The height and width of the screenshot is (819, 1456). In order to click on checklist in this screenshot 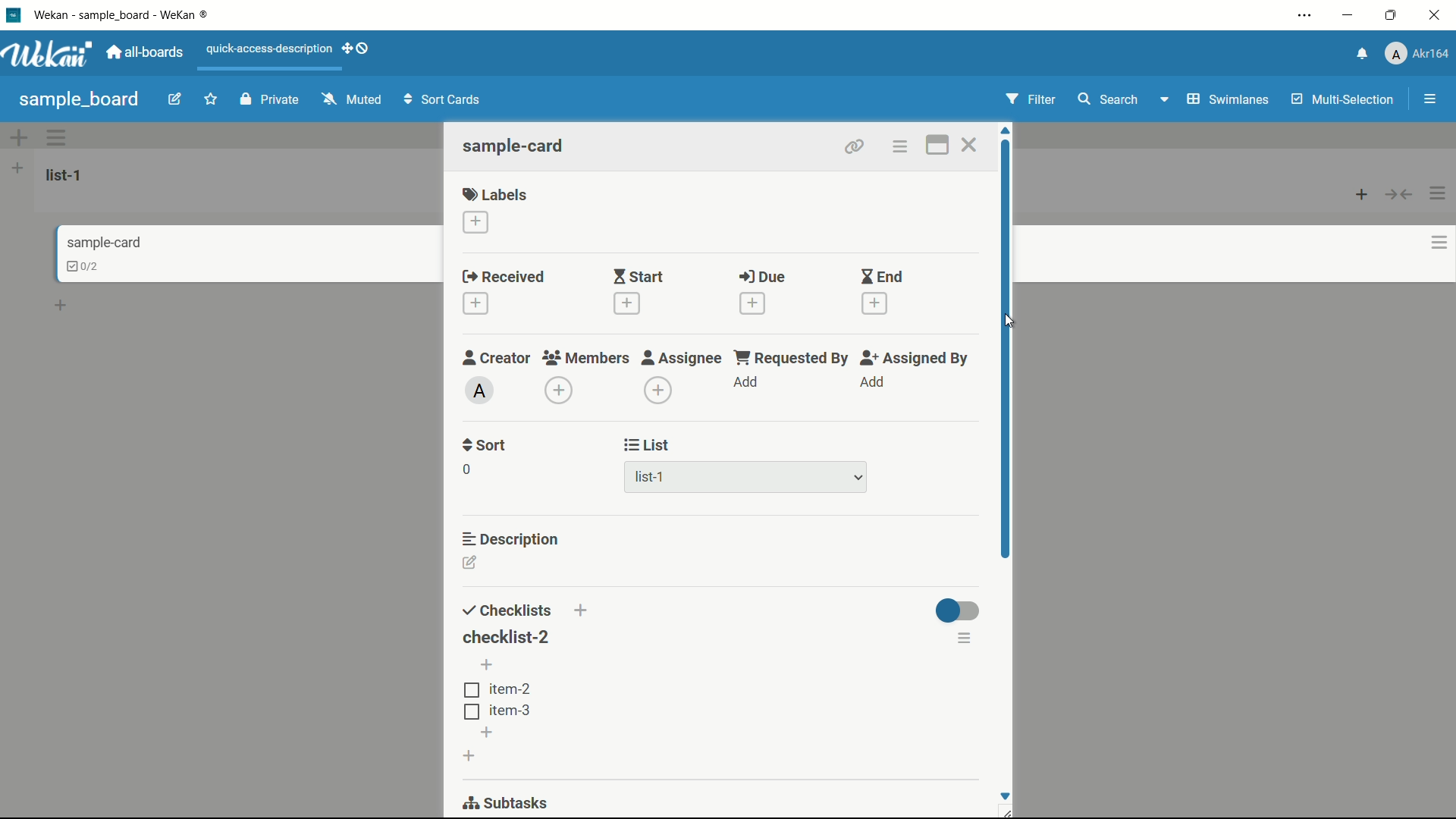, I will do `click(74, 265)`.